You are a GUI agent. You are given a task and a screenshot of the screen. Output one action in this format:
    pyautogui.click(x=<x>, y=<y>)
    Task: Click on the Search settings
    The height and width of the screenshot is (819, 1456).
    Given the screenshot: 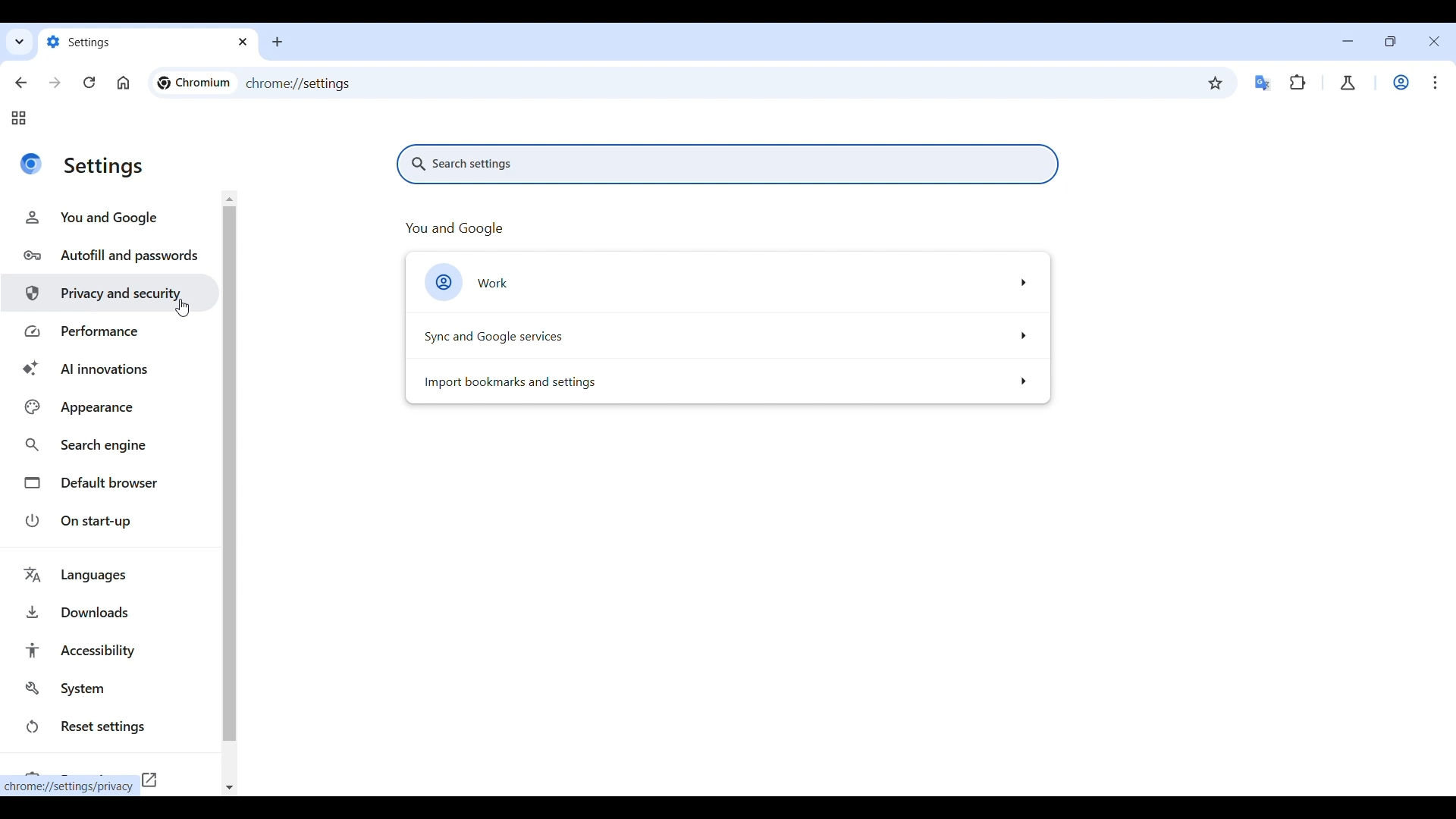 What is the action you would take?
    pyautogui.click(x=460, y=165)
    